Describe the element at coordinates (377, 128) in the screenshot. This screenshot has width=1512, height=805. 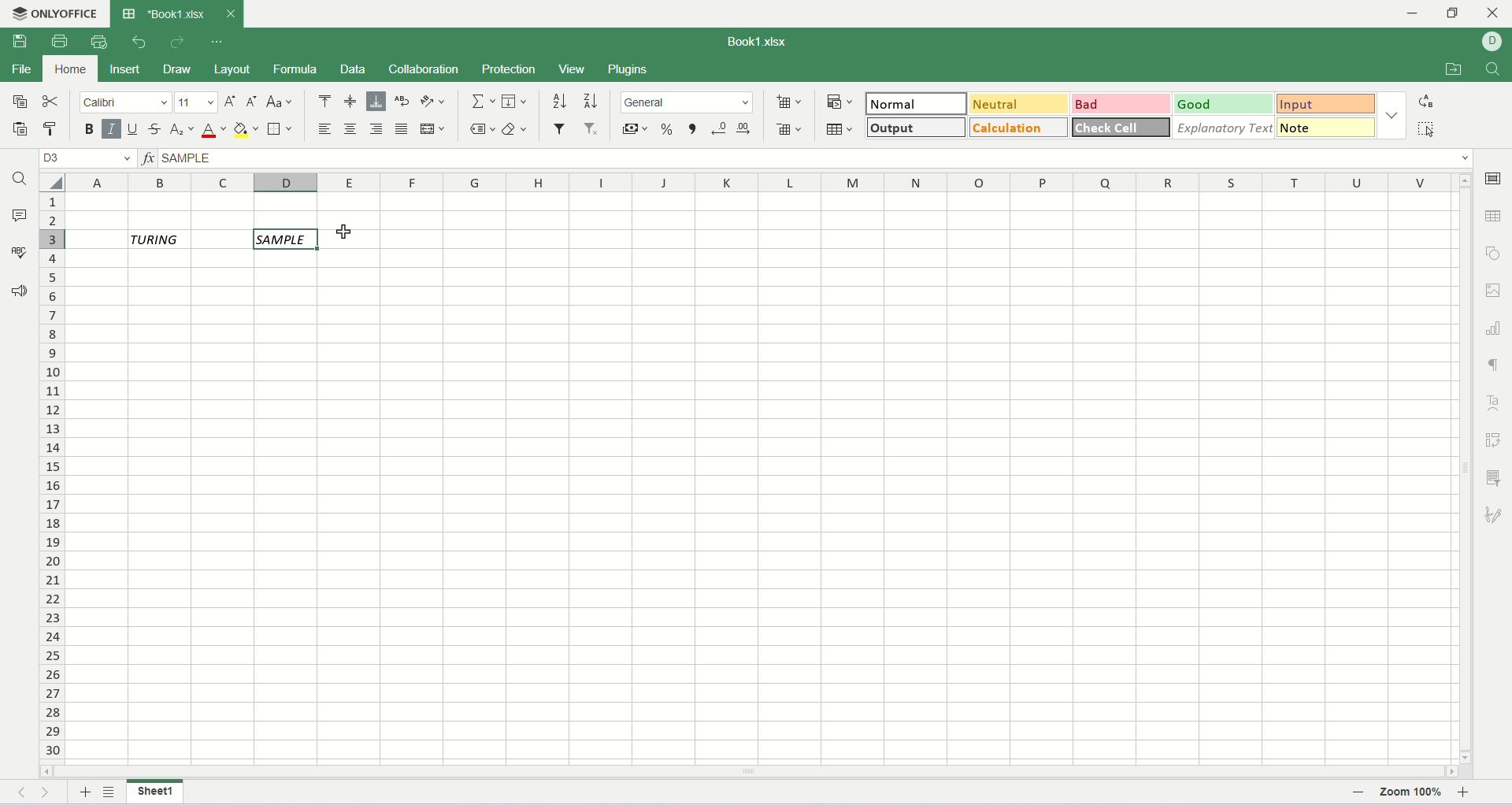
I see `align right` at that location.